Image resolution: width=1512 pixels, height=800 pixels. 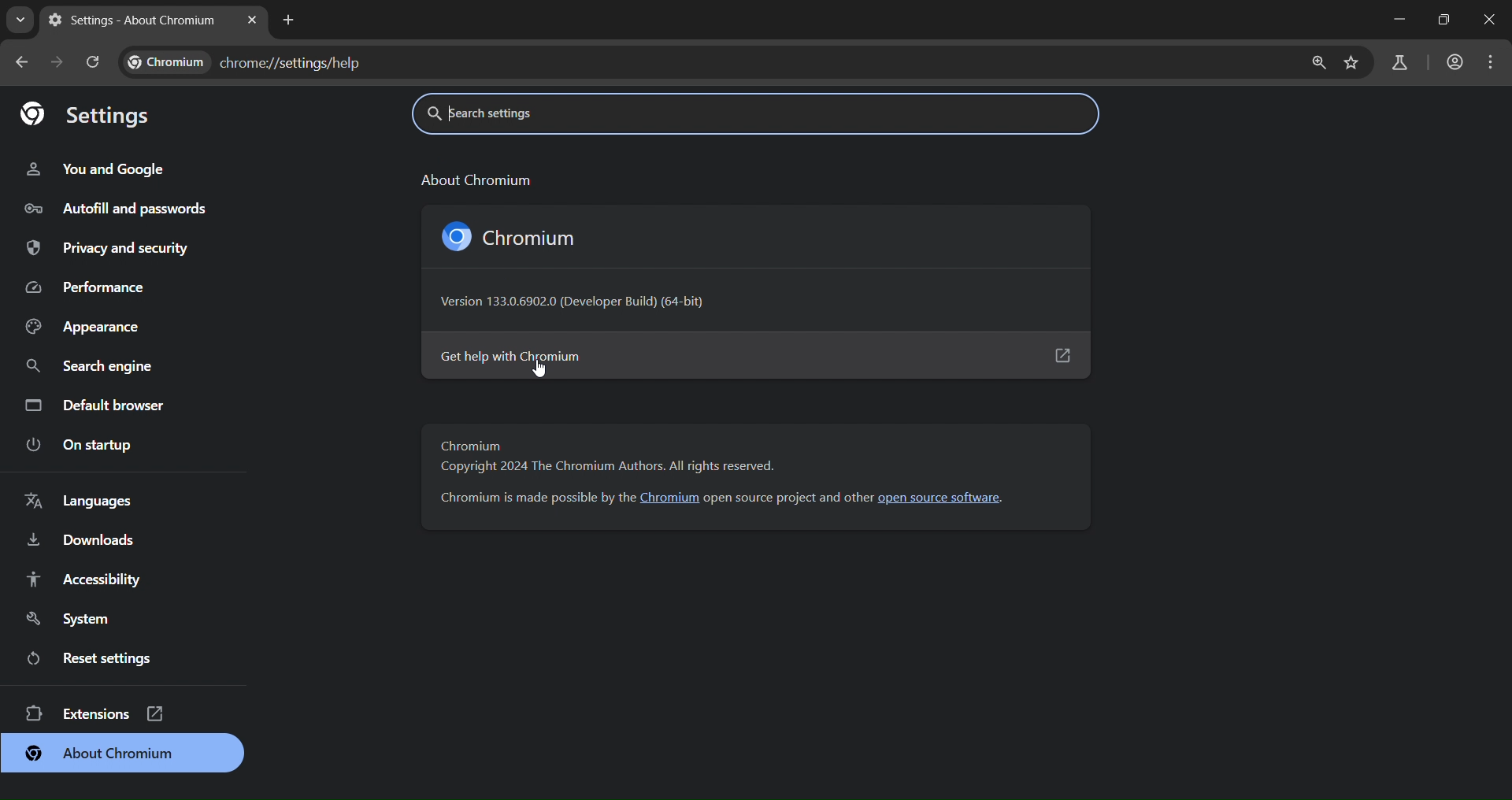 I want to click on accessibility, so click(x=84, y=577).